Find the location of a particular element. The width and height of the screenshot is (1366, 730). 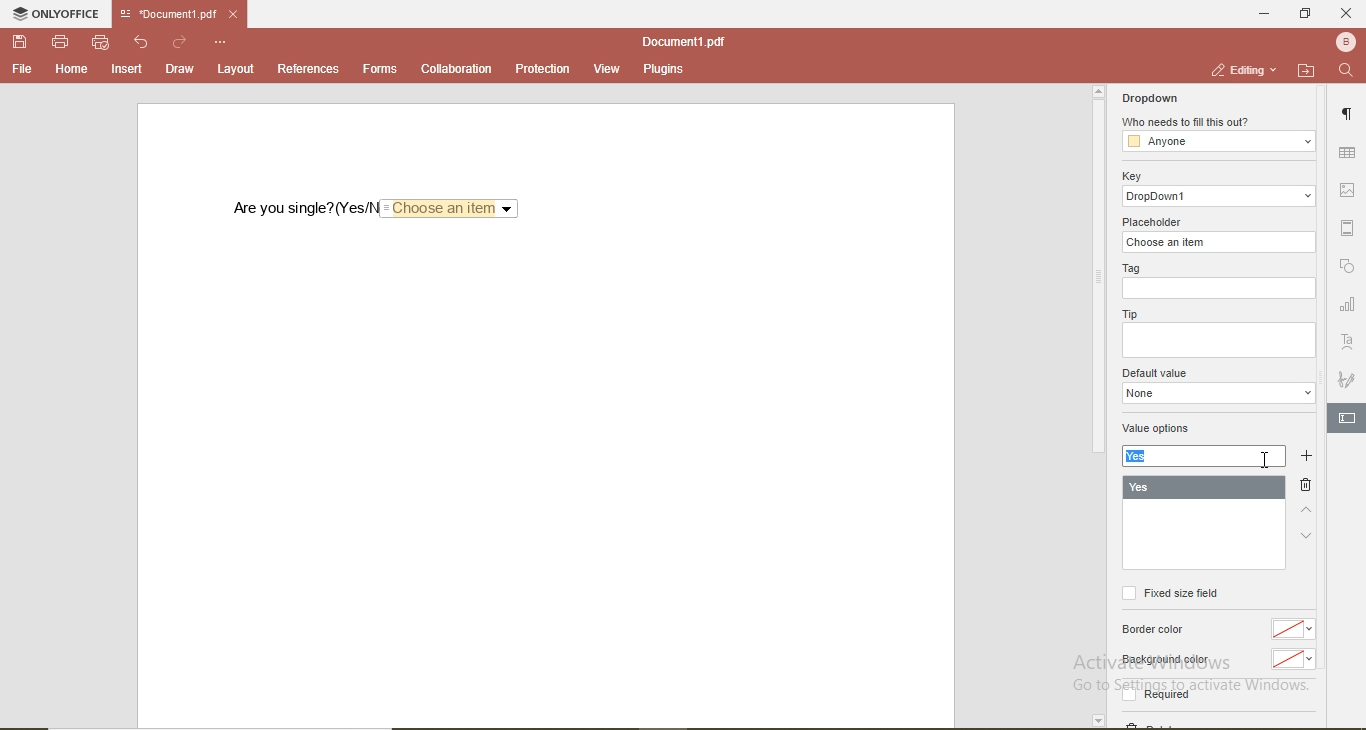

table is located at coordinates (1346, 154).